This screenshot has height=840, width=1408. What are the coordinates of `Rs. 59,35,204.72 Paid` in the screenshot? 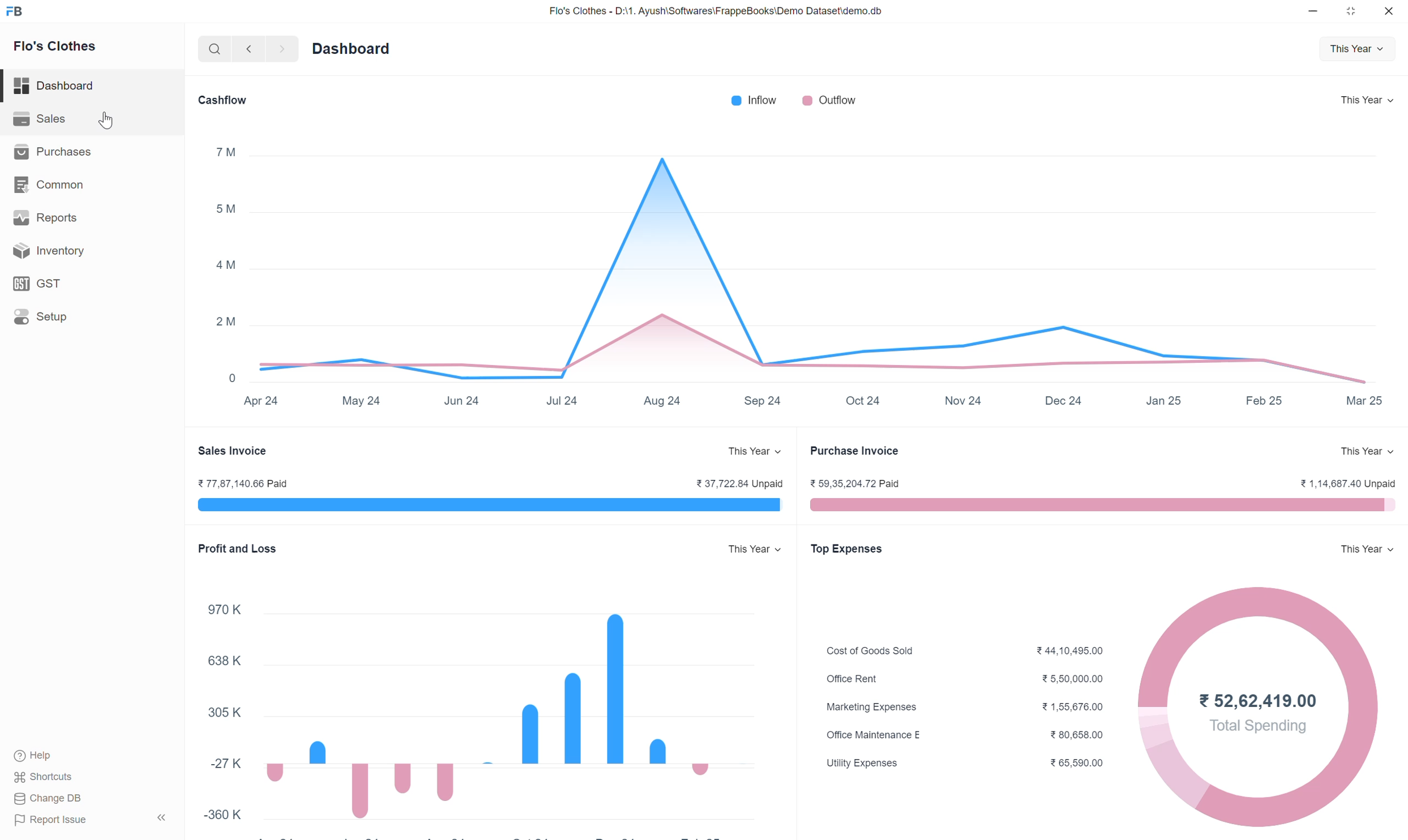 It's located at (861, 483).